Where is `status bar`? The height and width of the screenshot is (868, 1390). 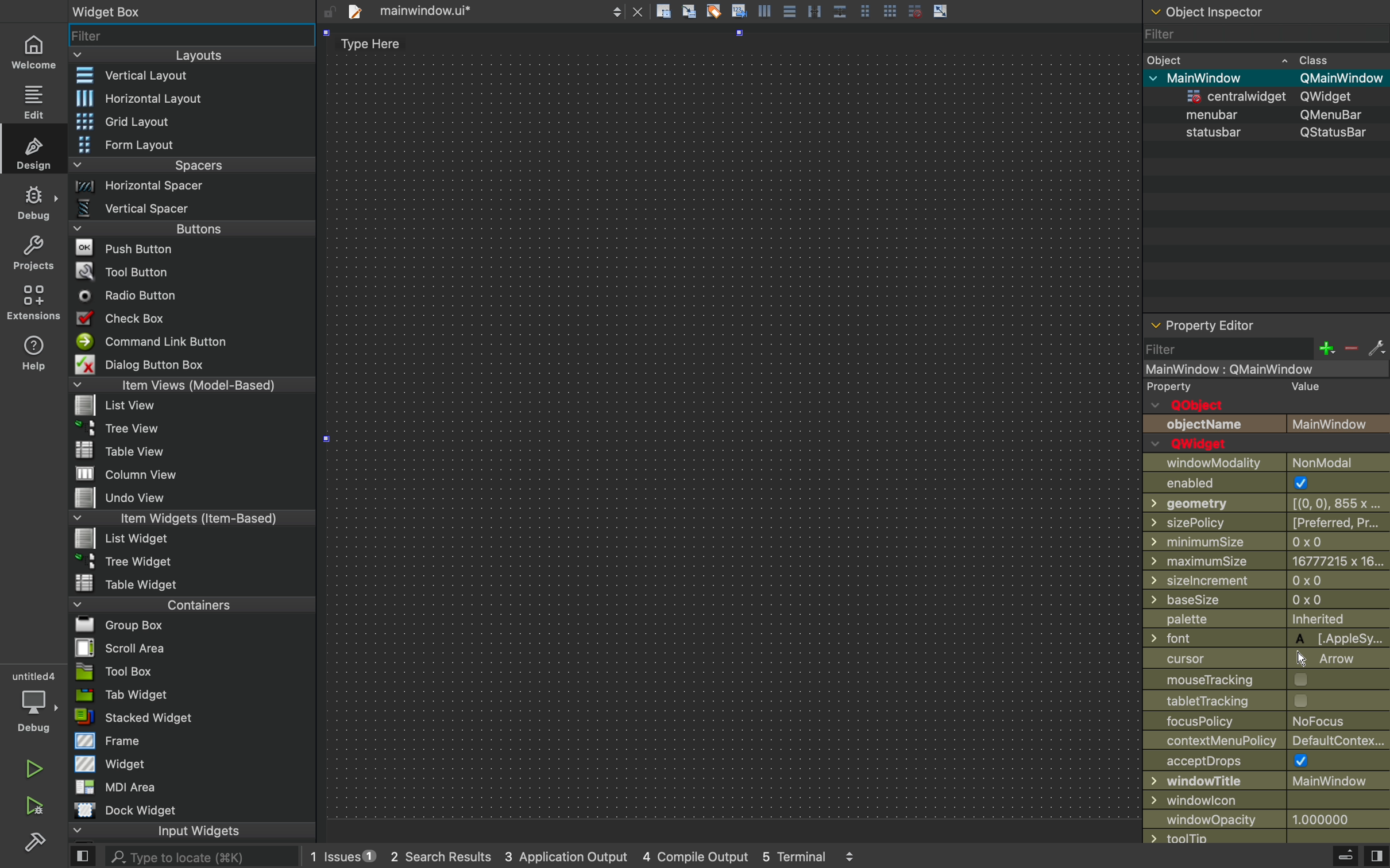 status bar is located at coordinates (1267, 133).